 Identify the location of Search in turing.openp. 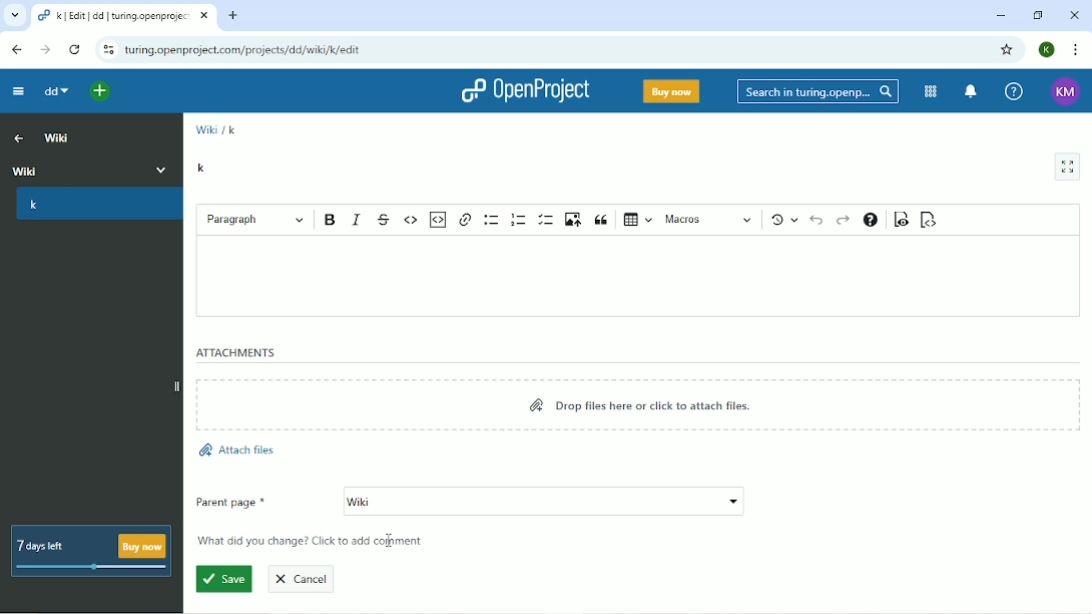
(816, 92).